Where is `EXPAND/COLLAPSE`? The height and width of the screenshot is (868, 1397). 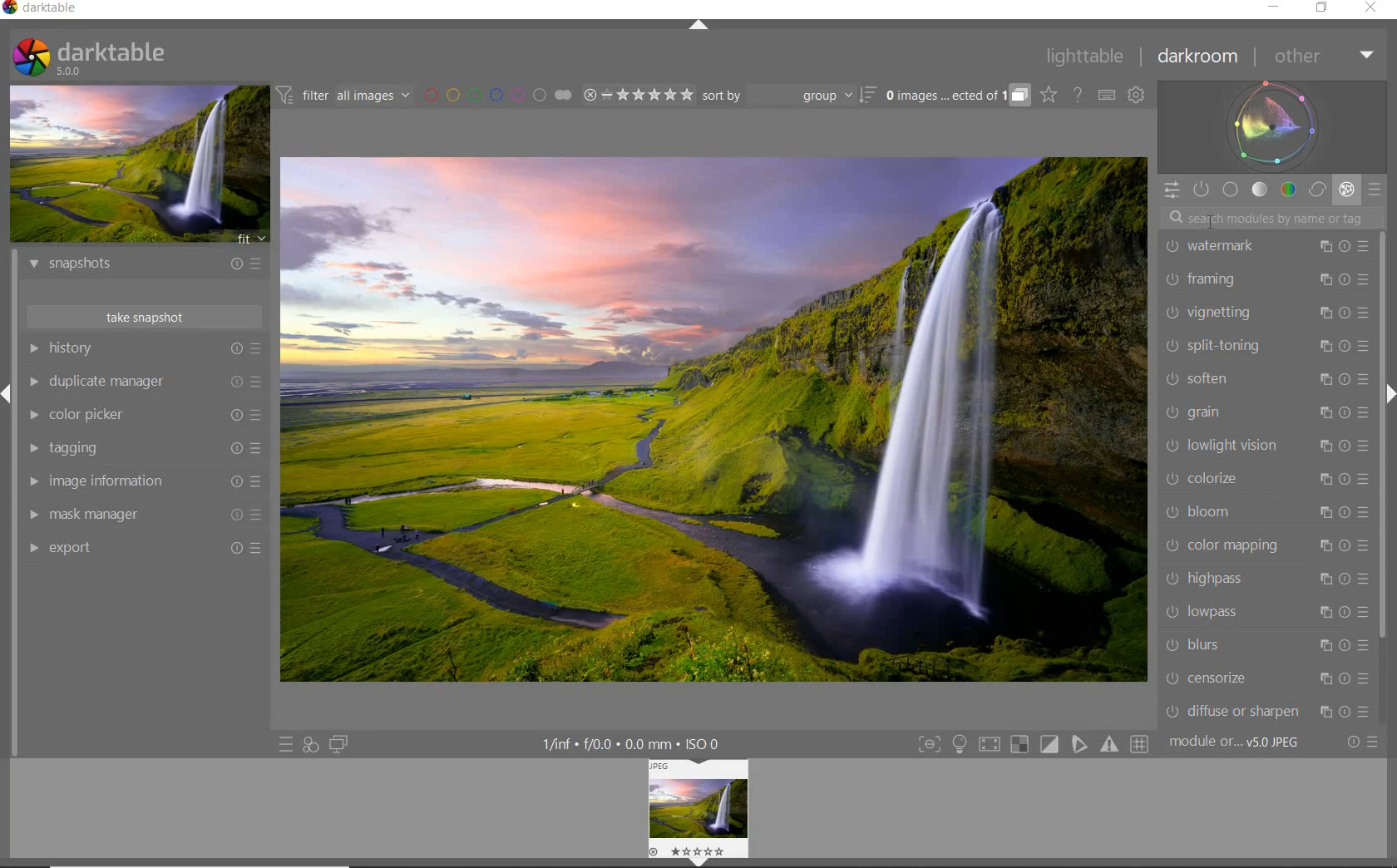
EXPAND/COLLAPSE is located at coordinates (700, 28).